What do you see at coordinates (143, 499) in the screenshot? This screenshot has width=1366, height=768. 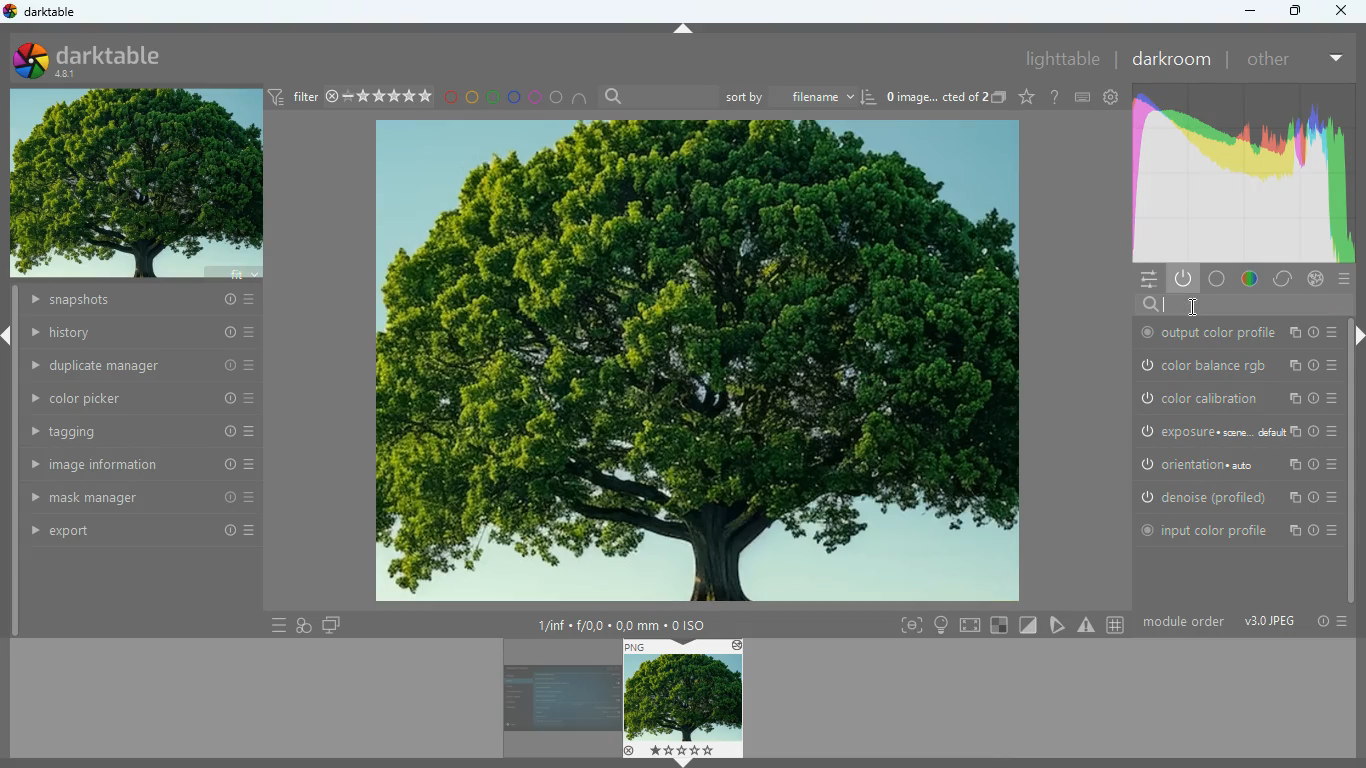 I see `mask manager` at bounding box center [143, 499].